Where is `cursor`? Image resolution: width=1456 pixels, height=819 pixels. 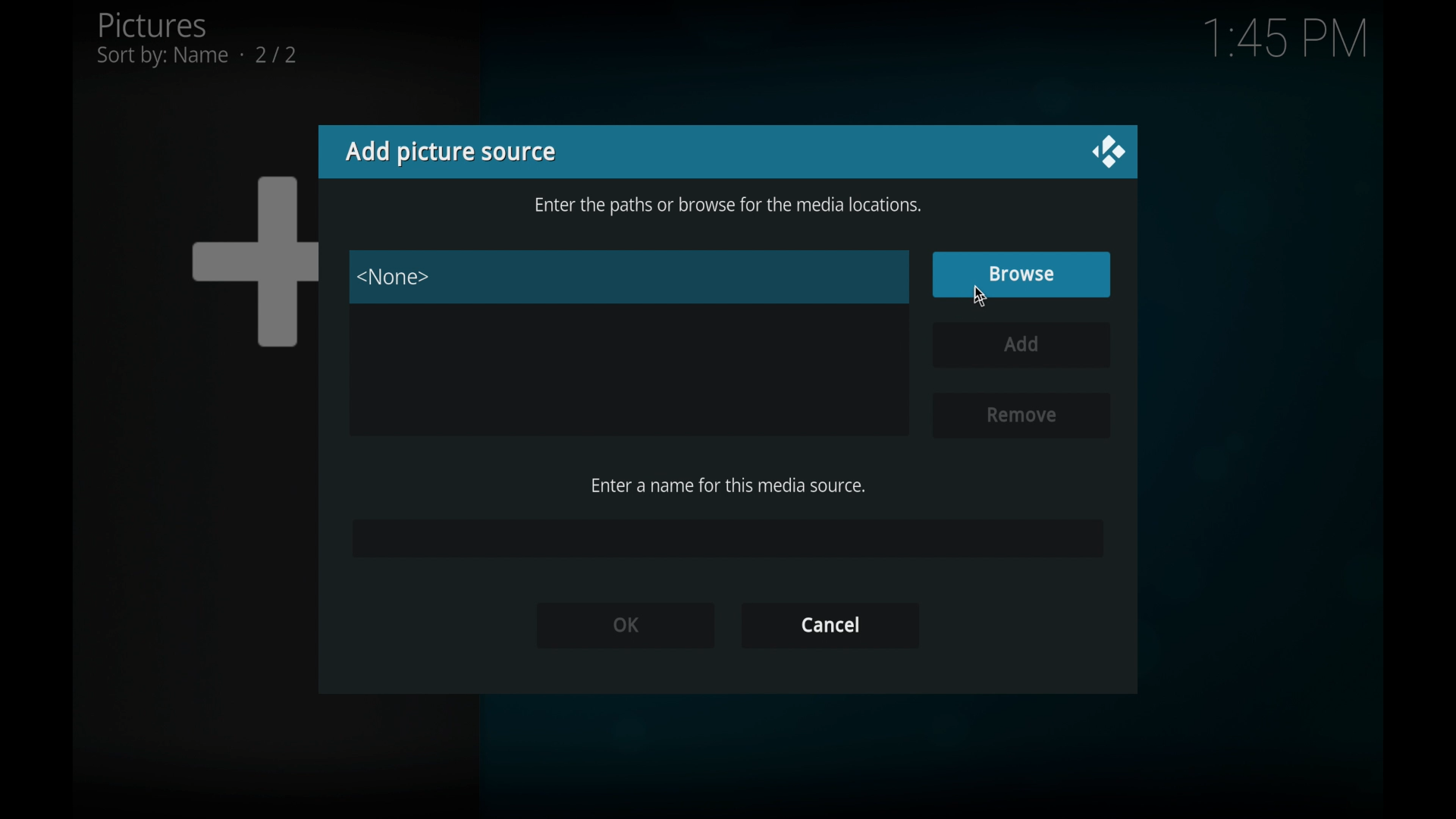 cursor is located at coordinates (979, 298).